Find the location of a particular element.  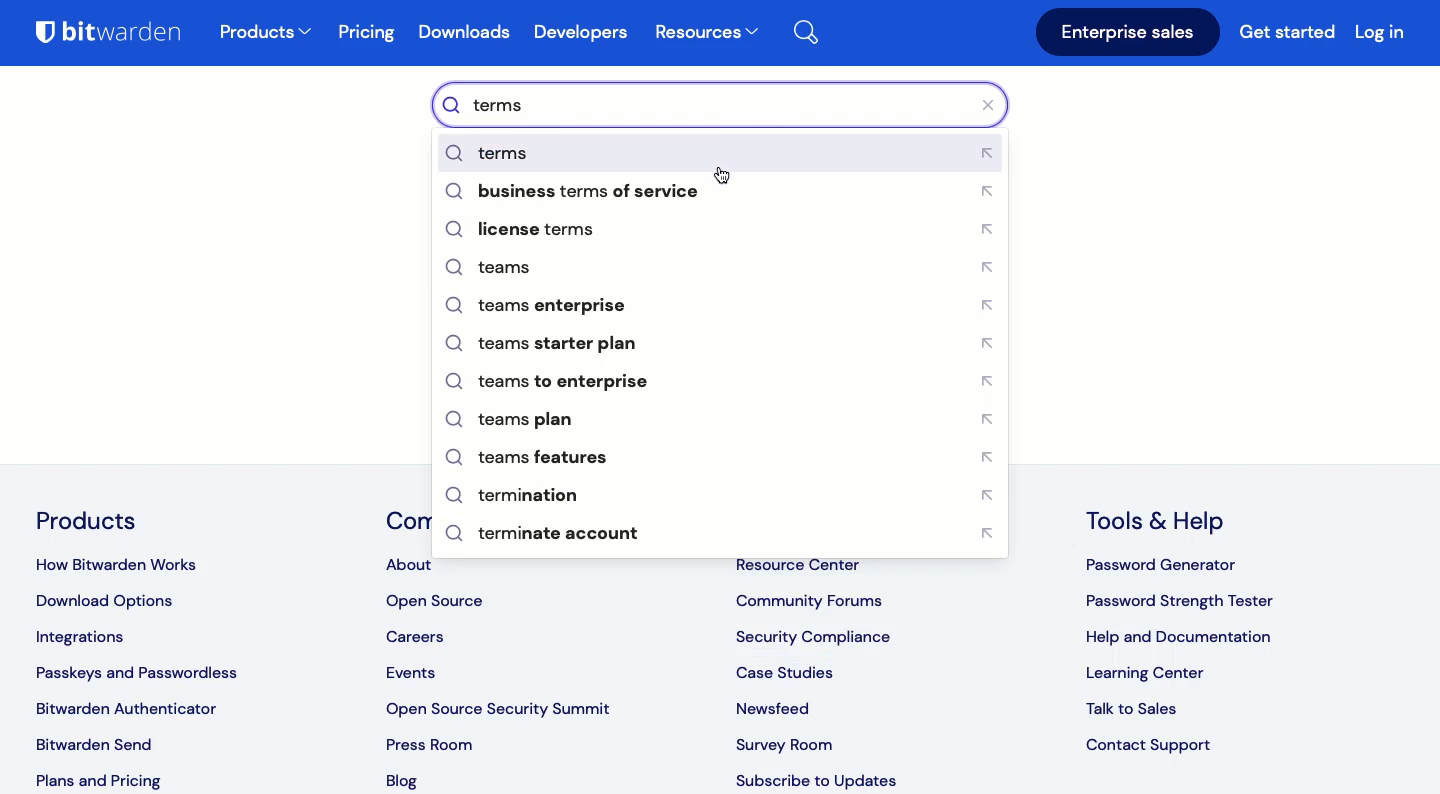

Bitwarden authenticator is located at coordinates (126, 708).